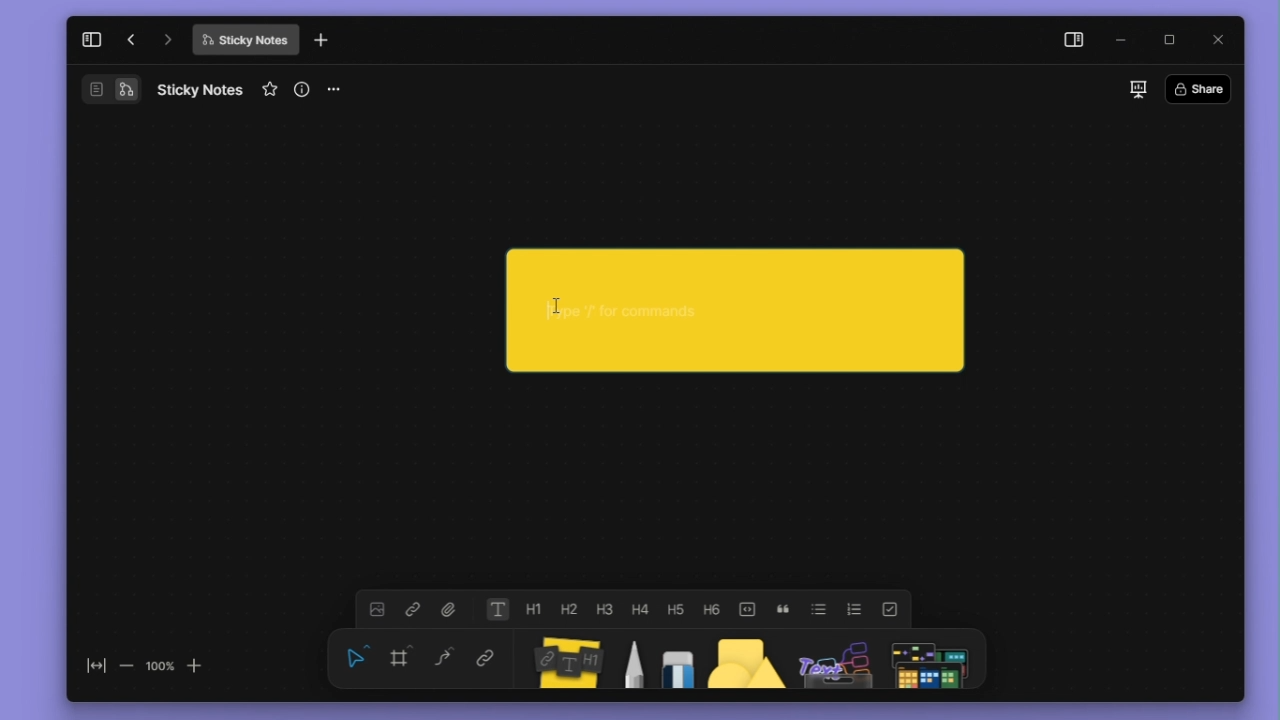  What do you see at coordinates (491, 658) in the screenshot?
I see `link` at bounding box center [491, 658].